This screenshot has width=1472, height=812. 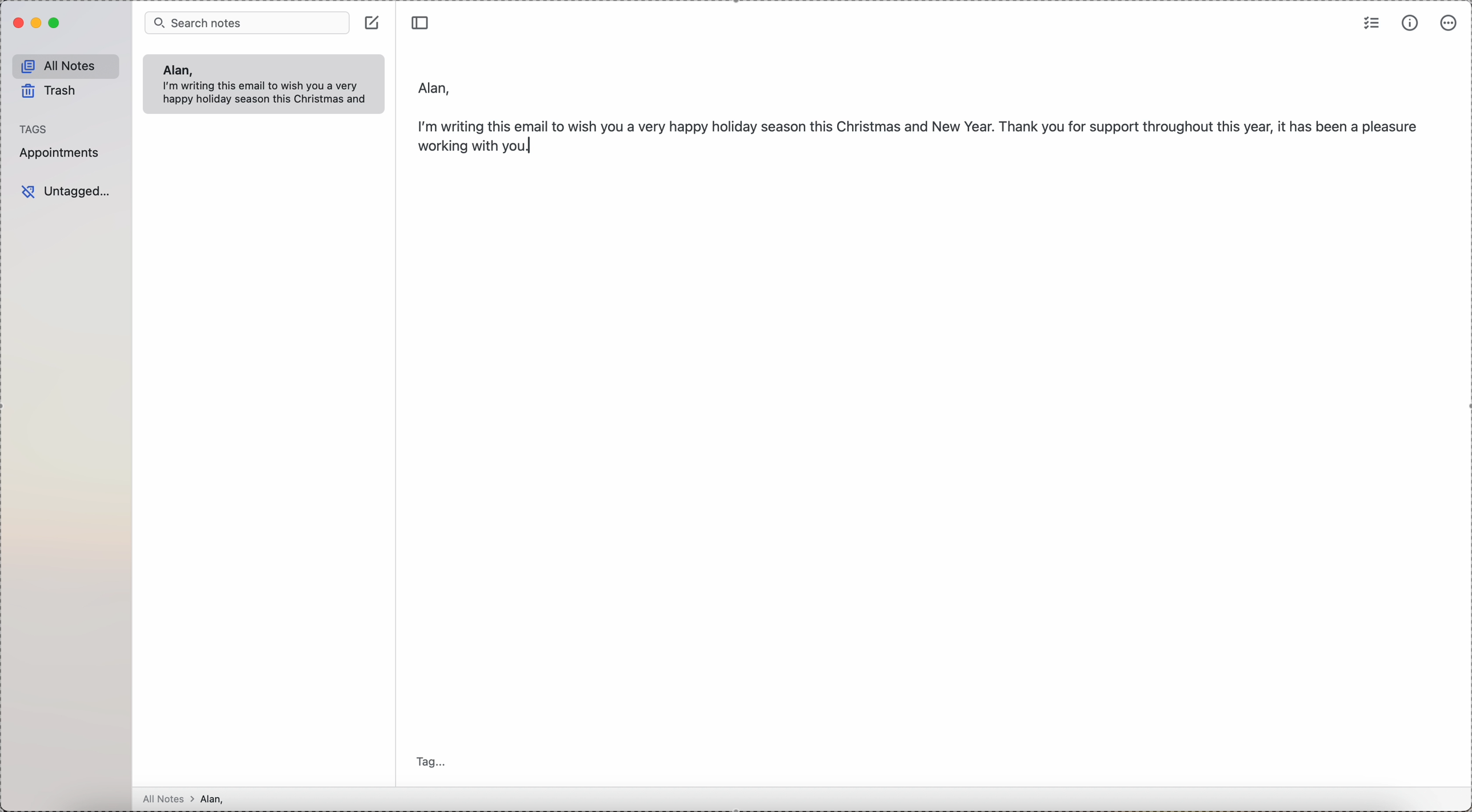 What do you see at coordinates (435, 85) in the screenshot?
I see `Alan,` at bounding box center [435, 85].